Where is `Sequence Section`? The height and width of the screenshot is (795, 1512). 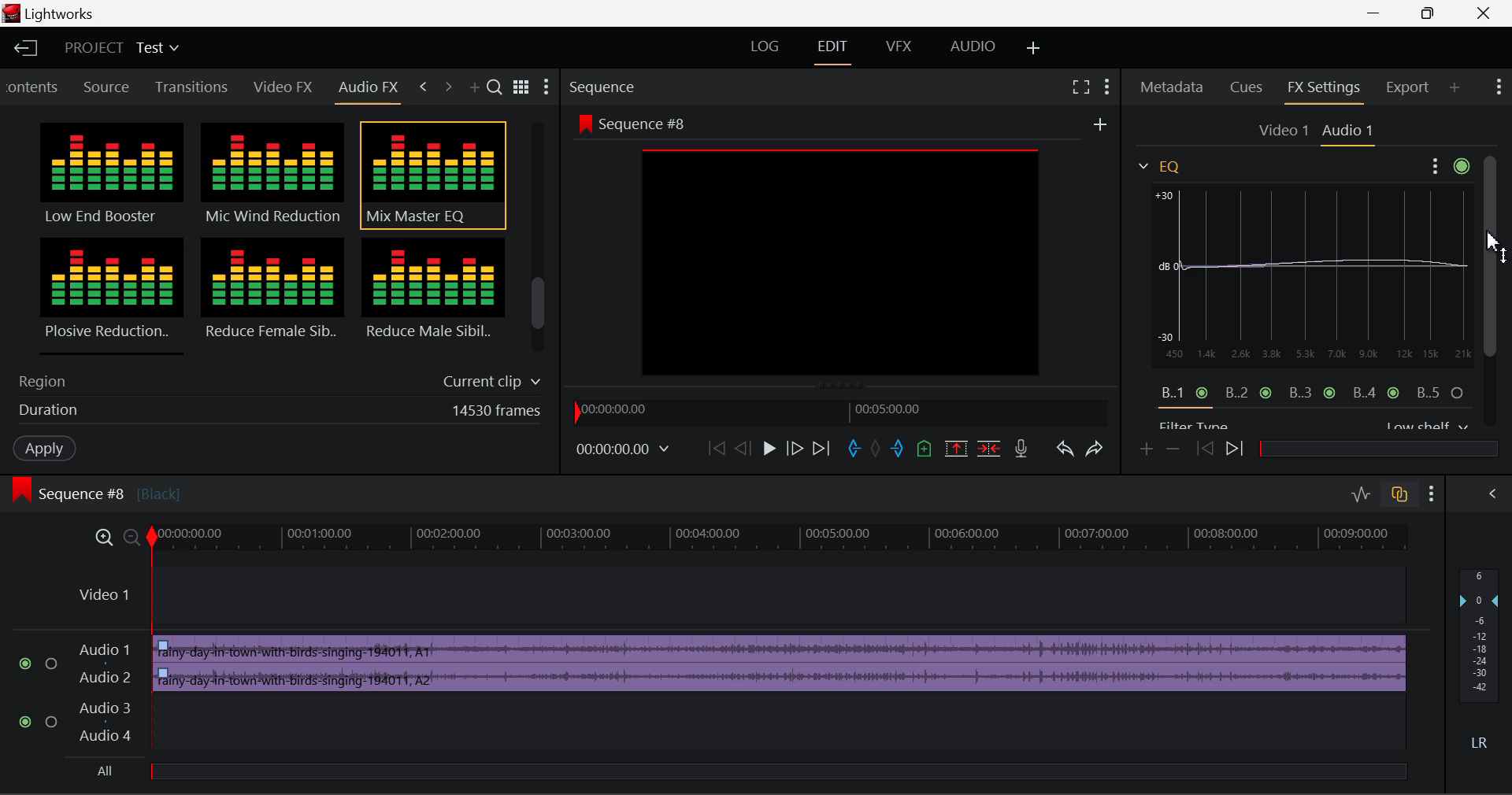 Sequence Section is located at coordinates (649, 86).